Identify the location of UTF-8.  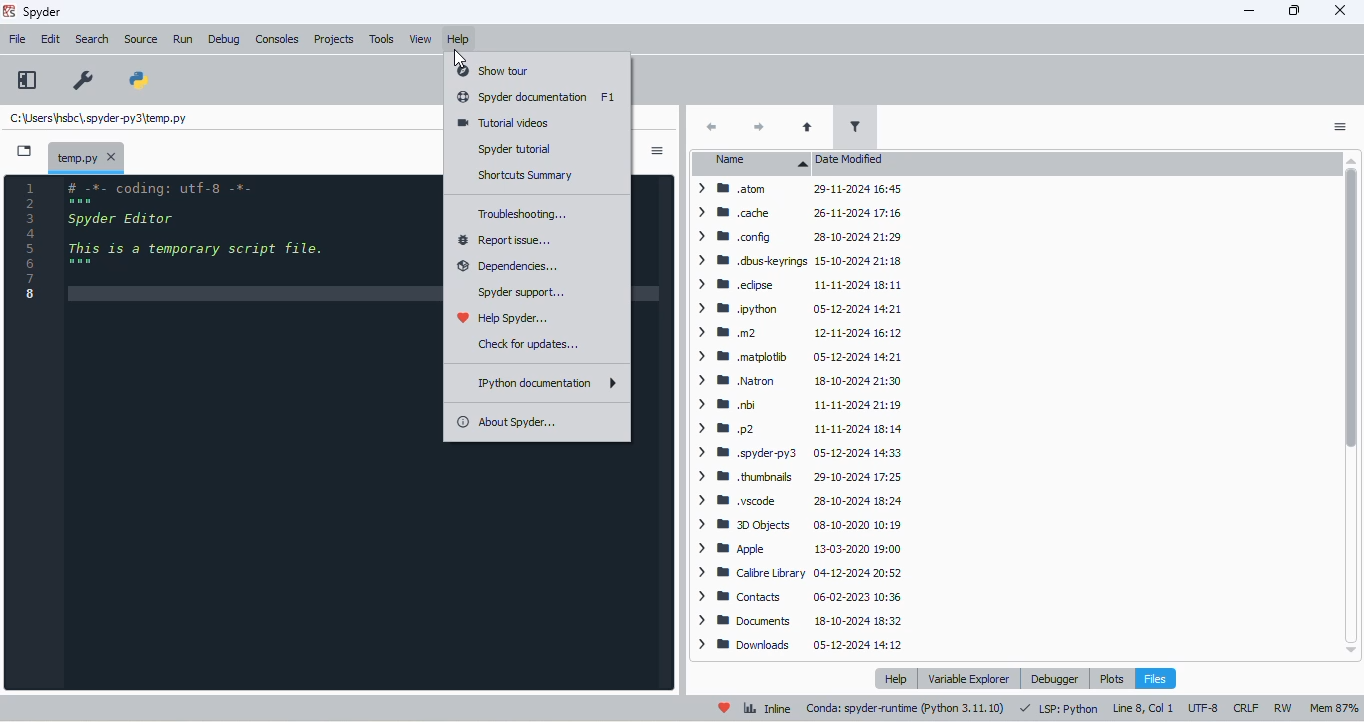
(1204, 709).